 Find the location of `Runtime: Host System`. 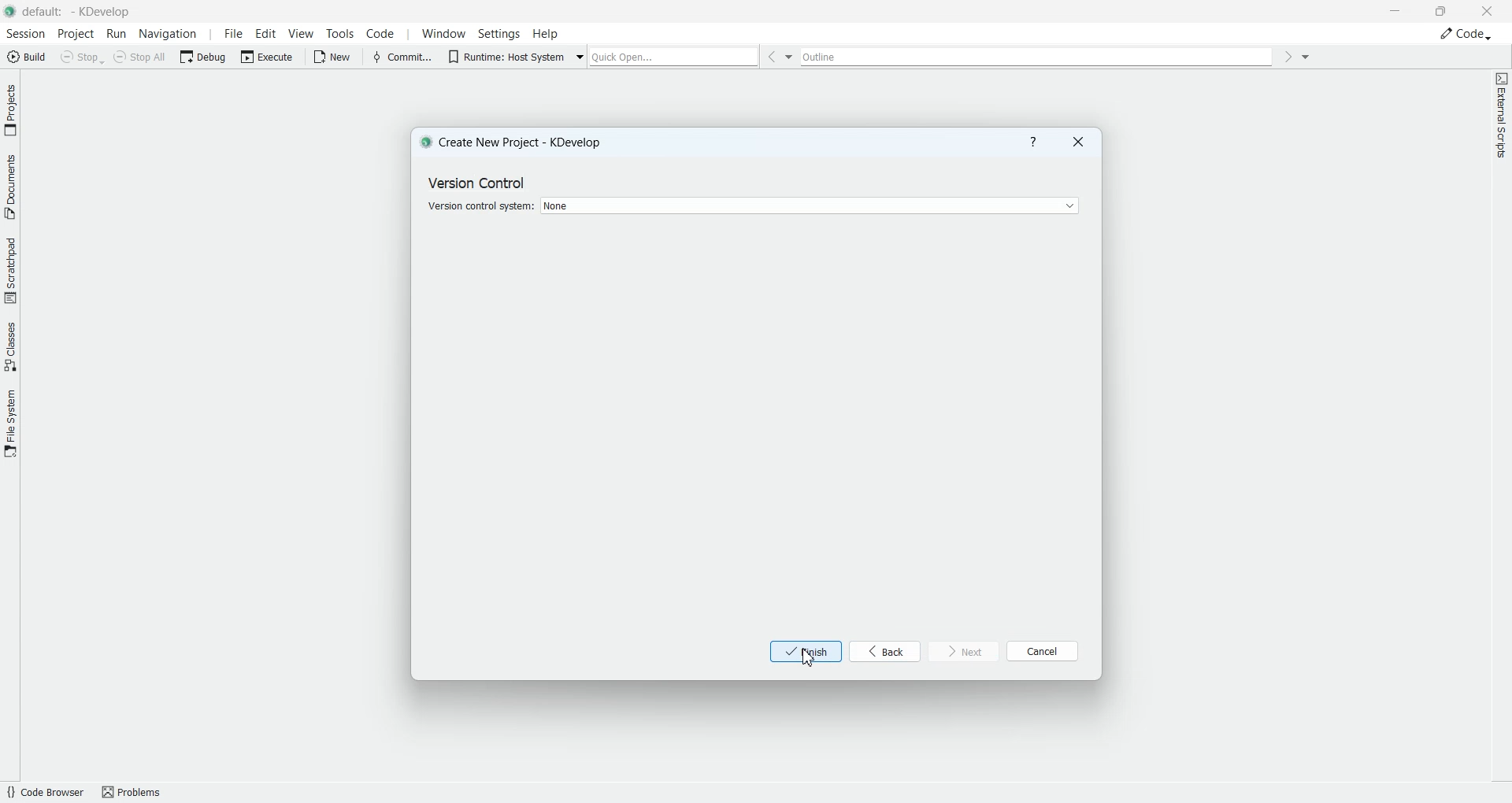

Runtime: Host System is located at coordinates (504, 55).